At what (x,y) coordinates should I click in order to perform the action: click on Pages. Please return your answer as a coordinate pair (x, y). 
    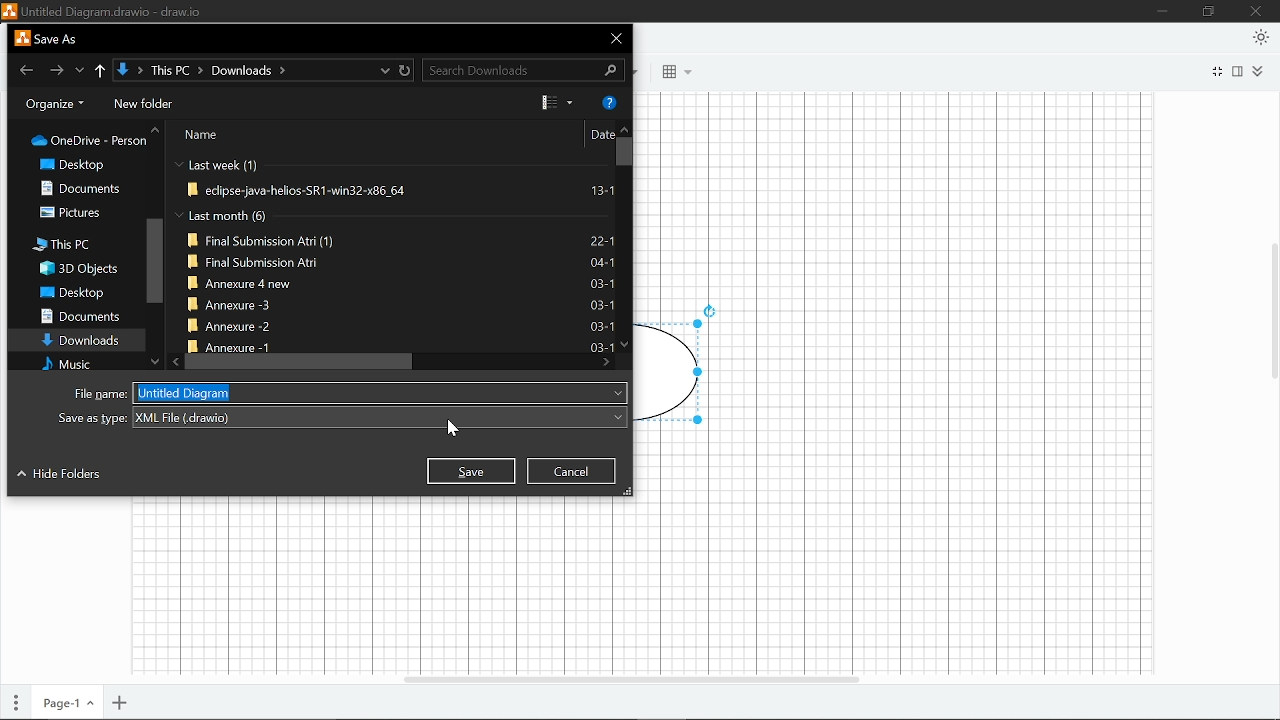
    Looking at the image, I should click on (16, 699).